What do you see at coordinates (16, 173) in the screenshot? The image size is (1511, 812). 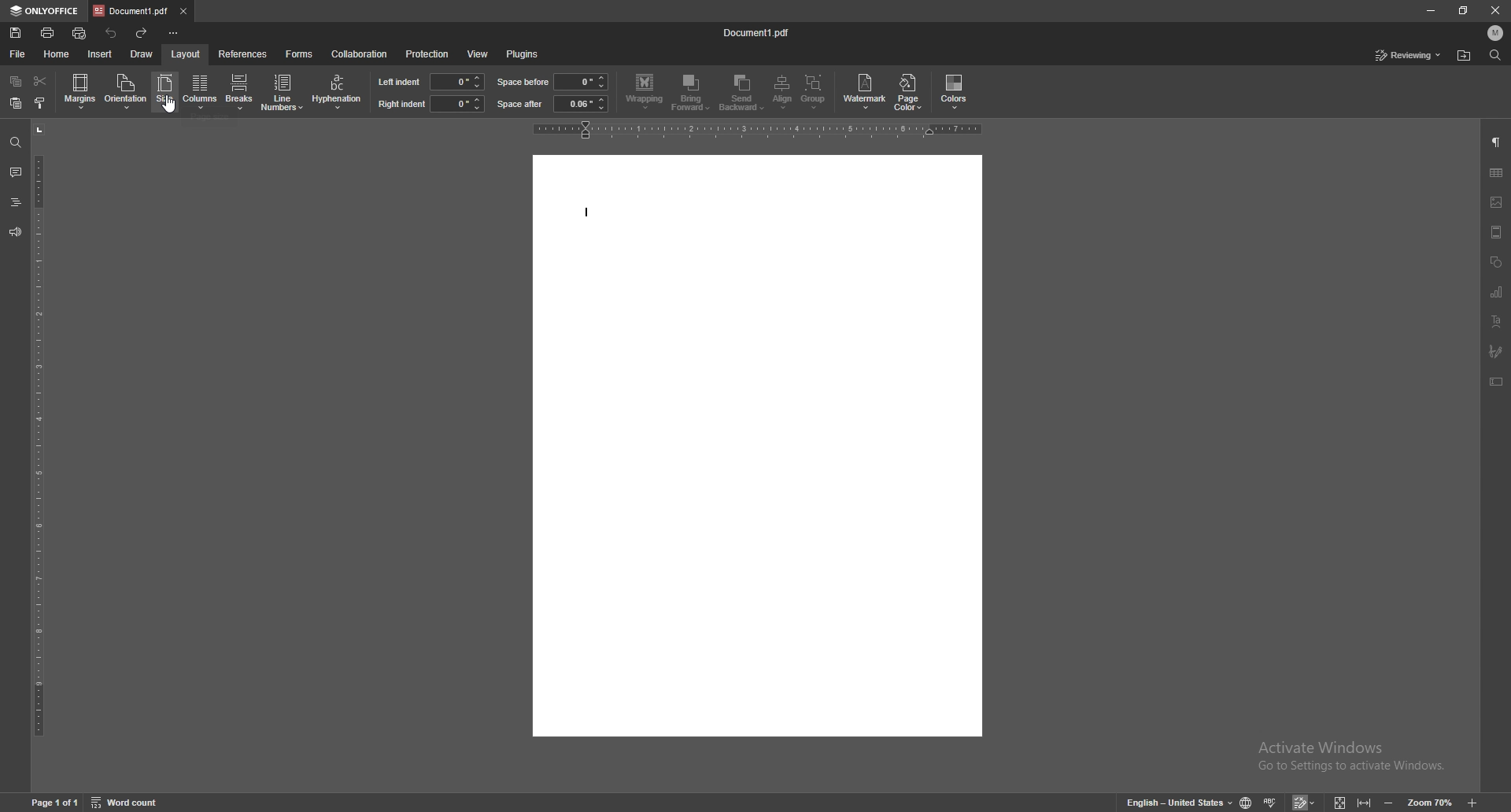 I see `comment` at bounding box center [16, 173].